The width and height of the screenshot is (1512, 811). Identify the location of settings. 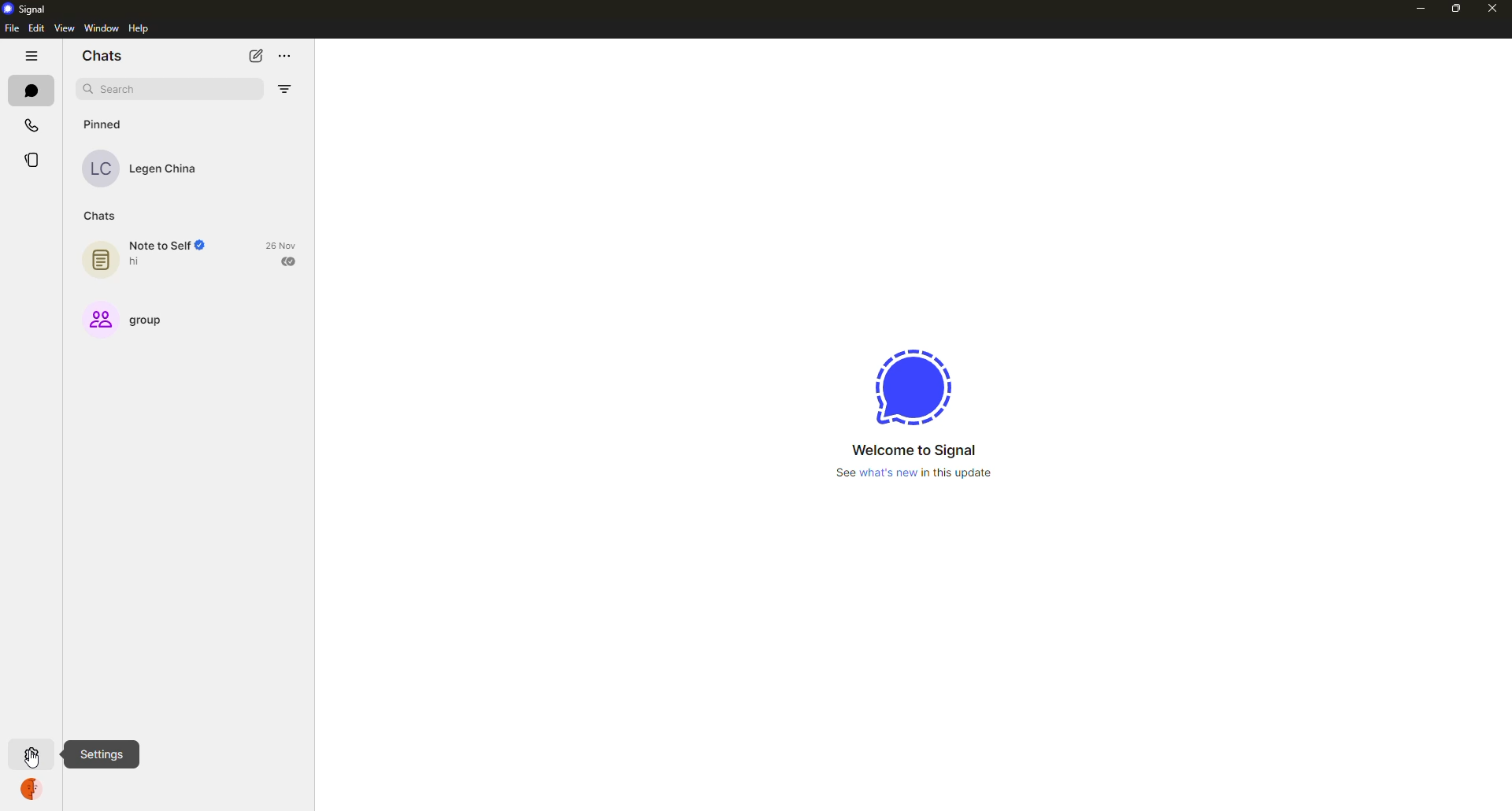
(102, 755).